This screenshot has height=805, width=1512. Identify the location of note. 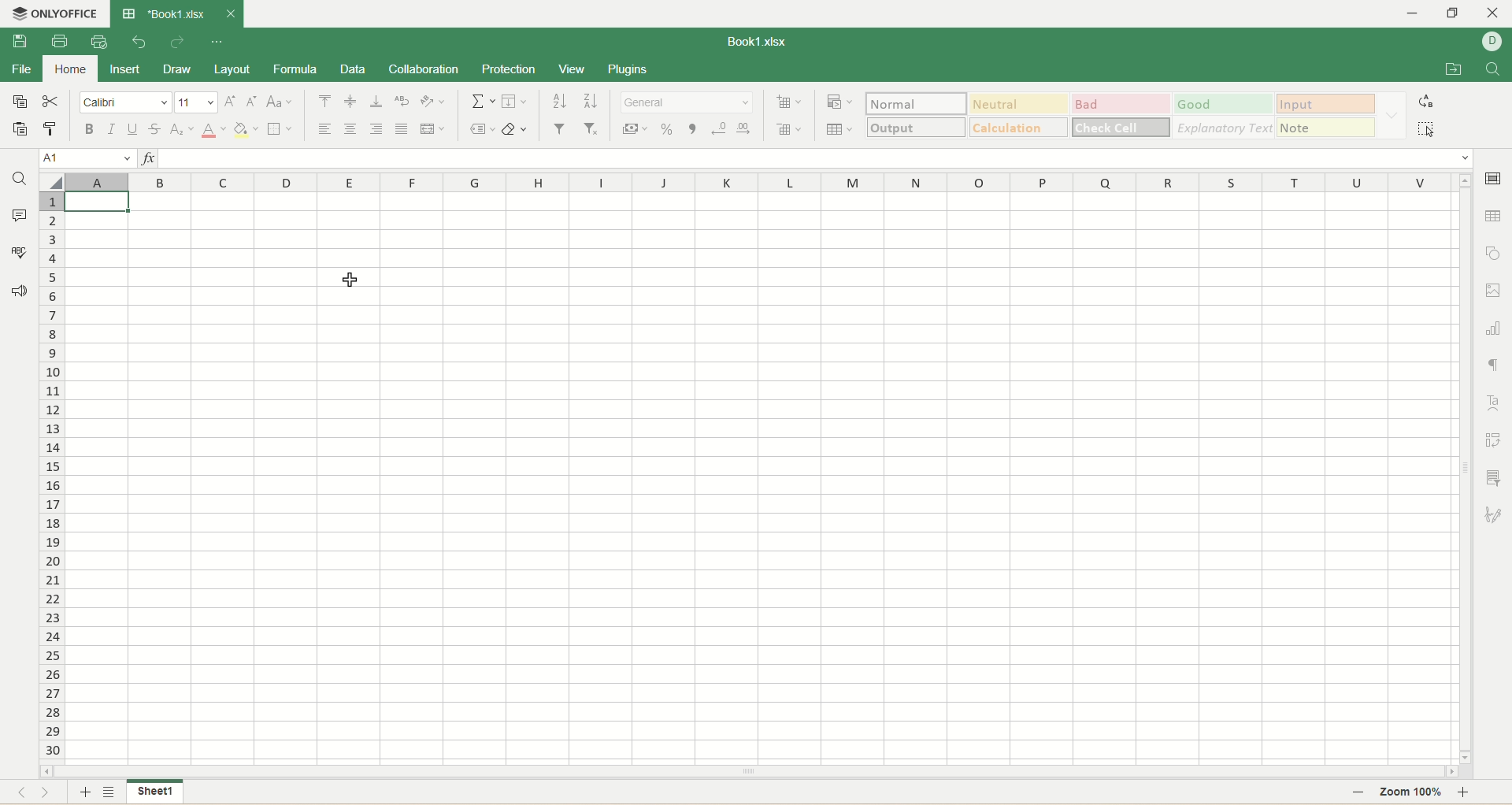
(1326, 128).